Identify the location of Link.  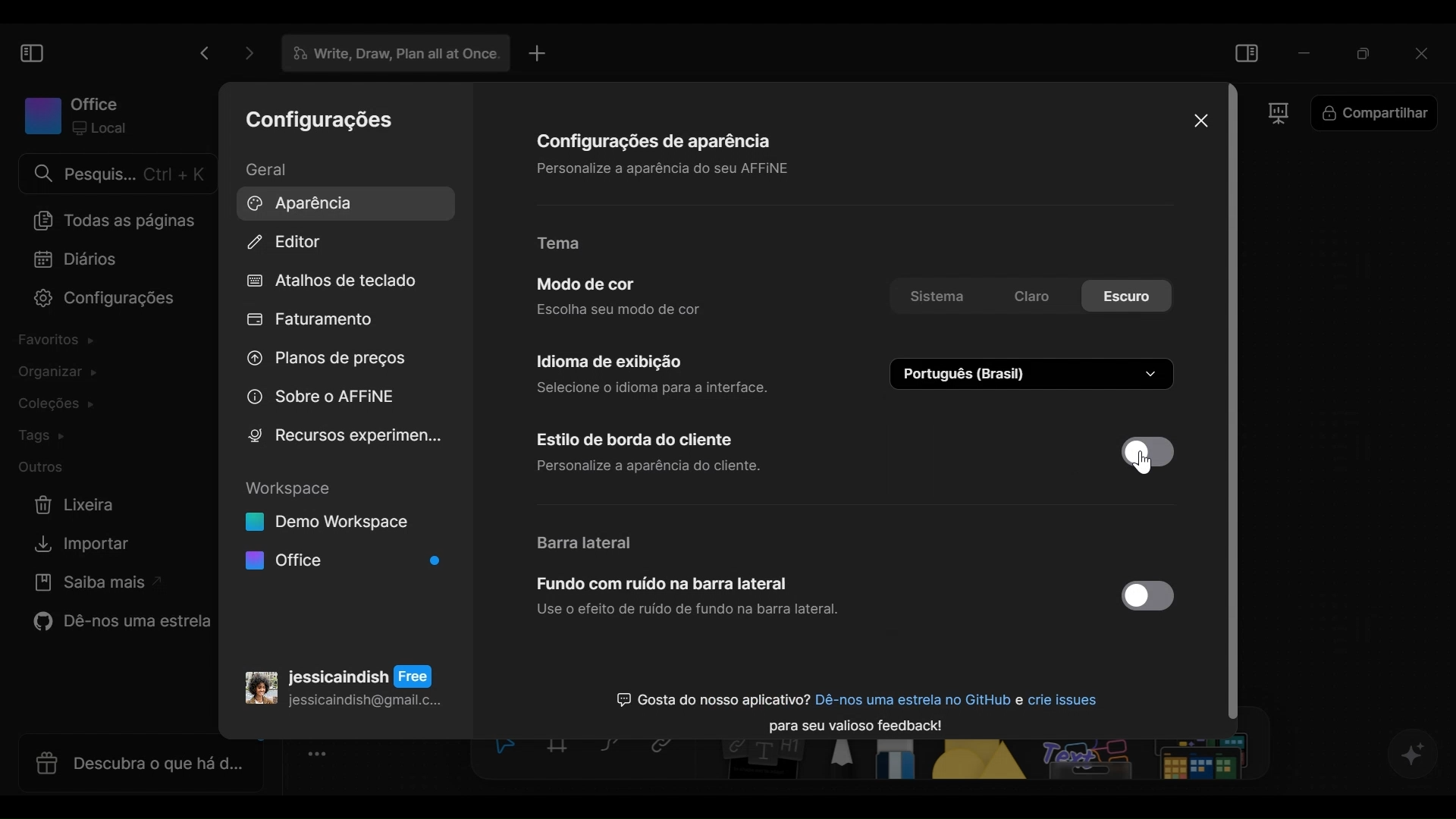
(667, 748).